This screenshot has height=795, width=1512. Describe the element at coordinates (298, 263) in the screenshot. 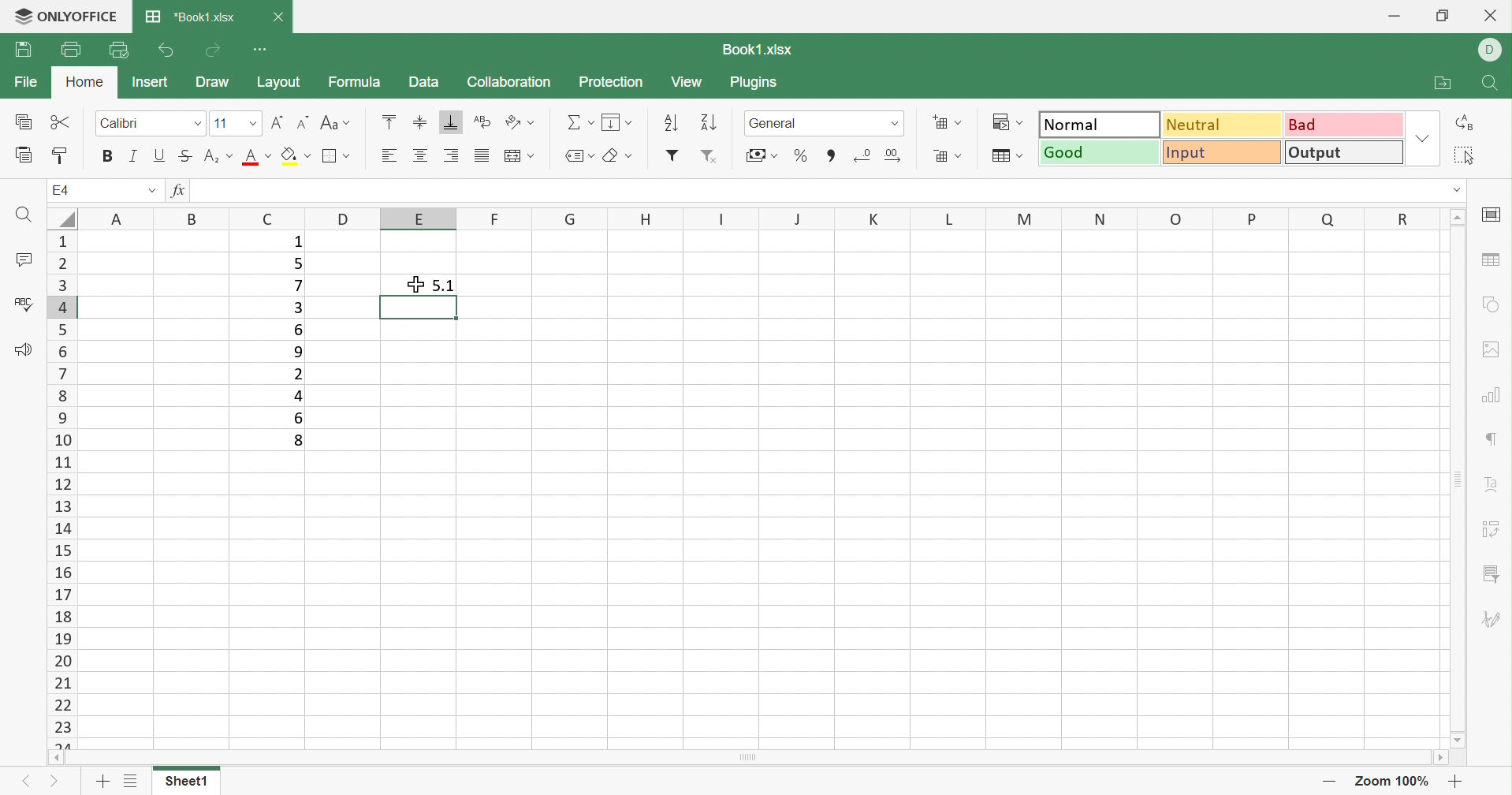

I see `5` at that location.